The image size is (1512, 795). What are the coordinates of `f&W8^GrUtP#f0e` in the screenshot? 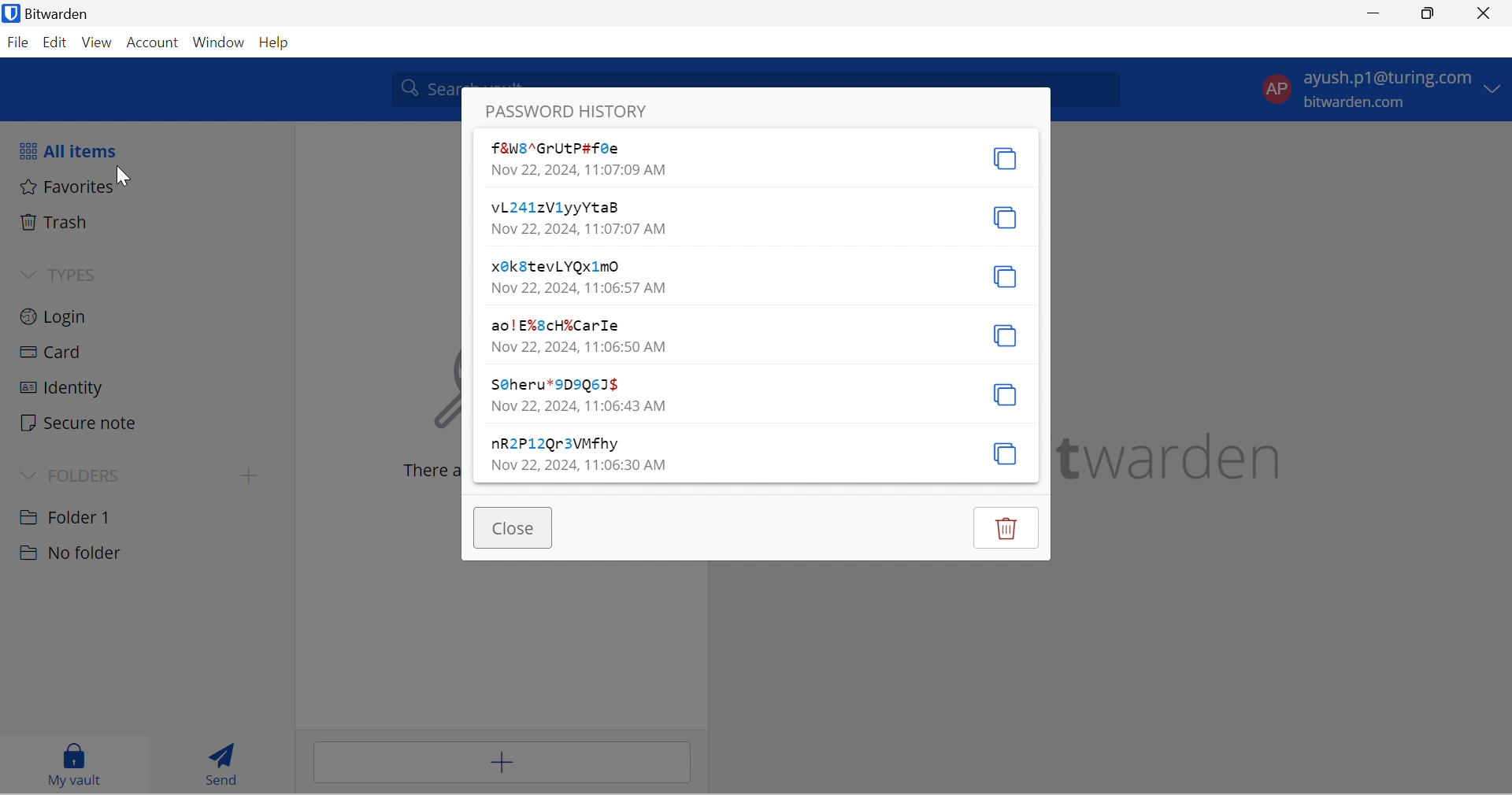 It's located at (564, 148).